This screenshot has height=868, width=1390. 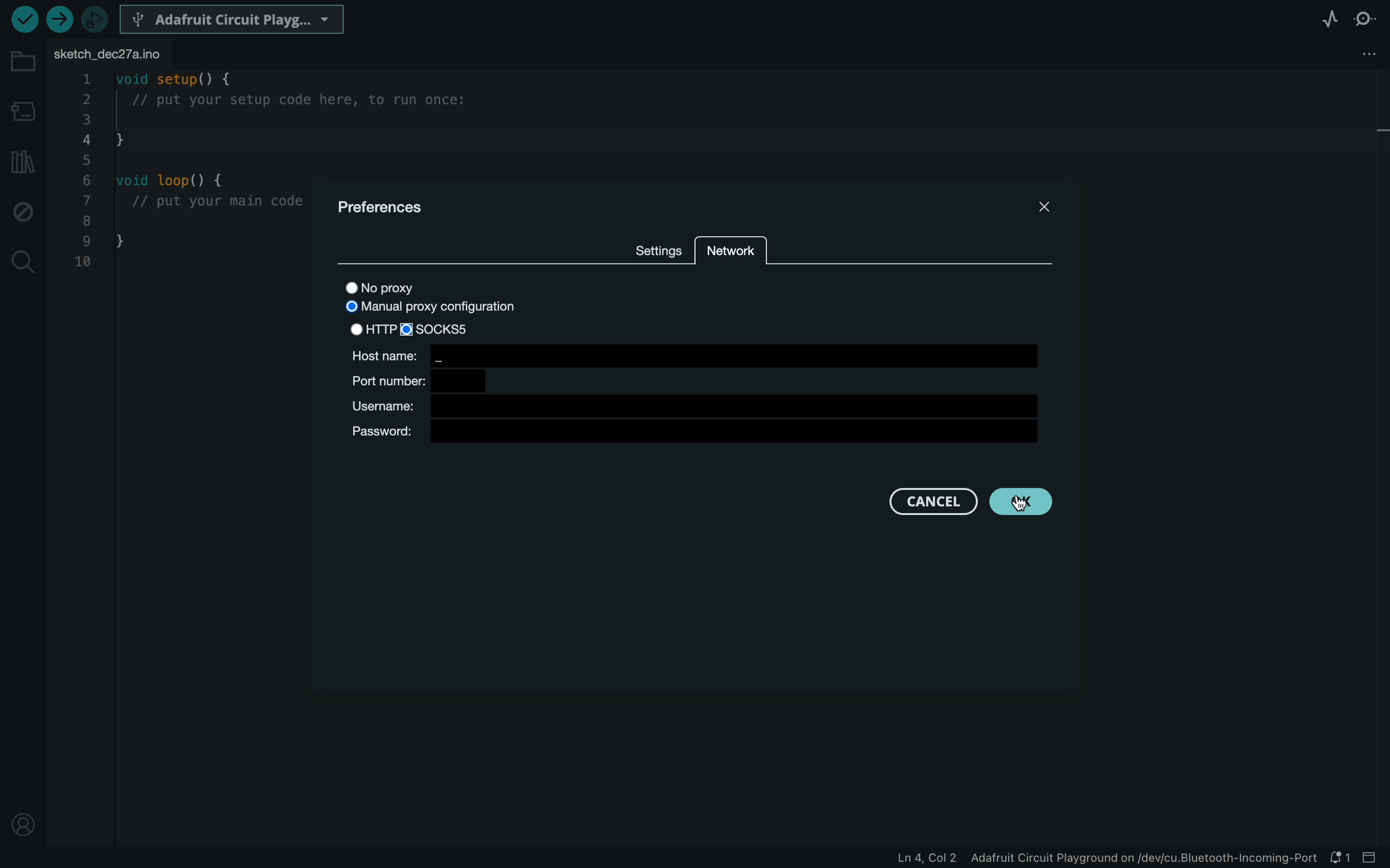 What do you see at coordinates (23, 162) in the screenshot?
I see `library manager` at bounding box center [23, 162].